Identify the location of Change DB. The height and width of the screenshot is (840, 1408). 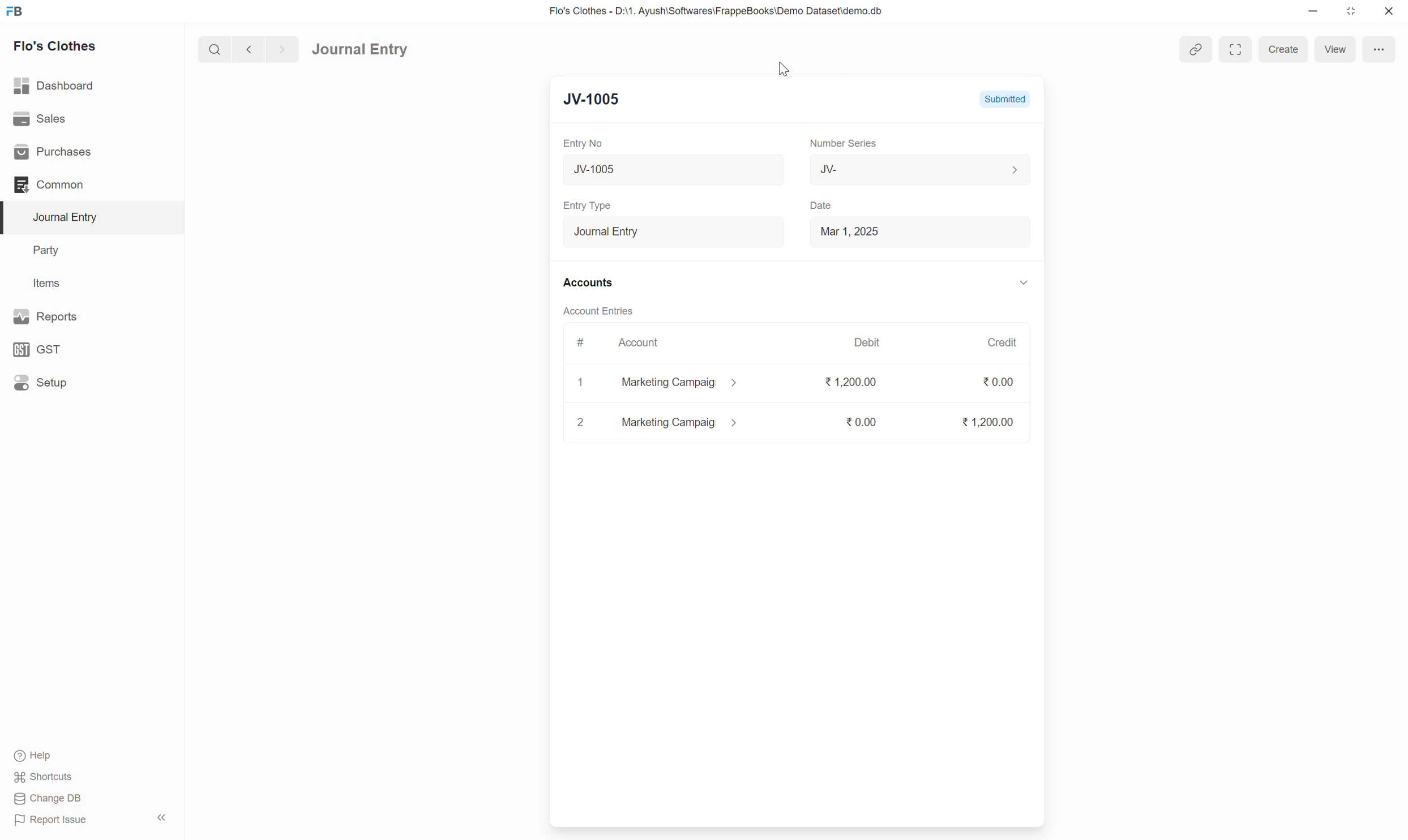
(48, 798).